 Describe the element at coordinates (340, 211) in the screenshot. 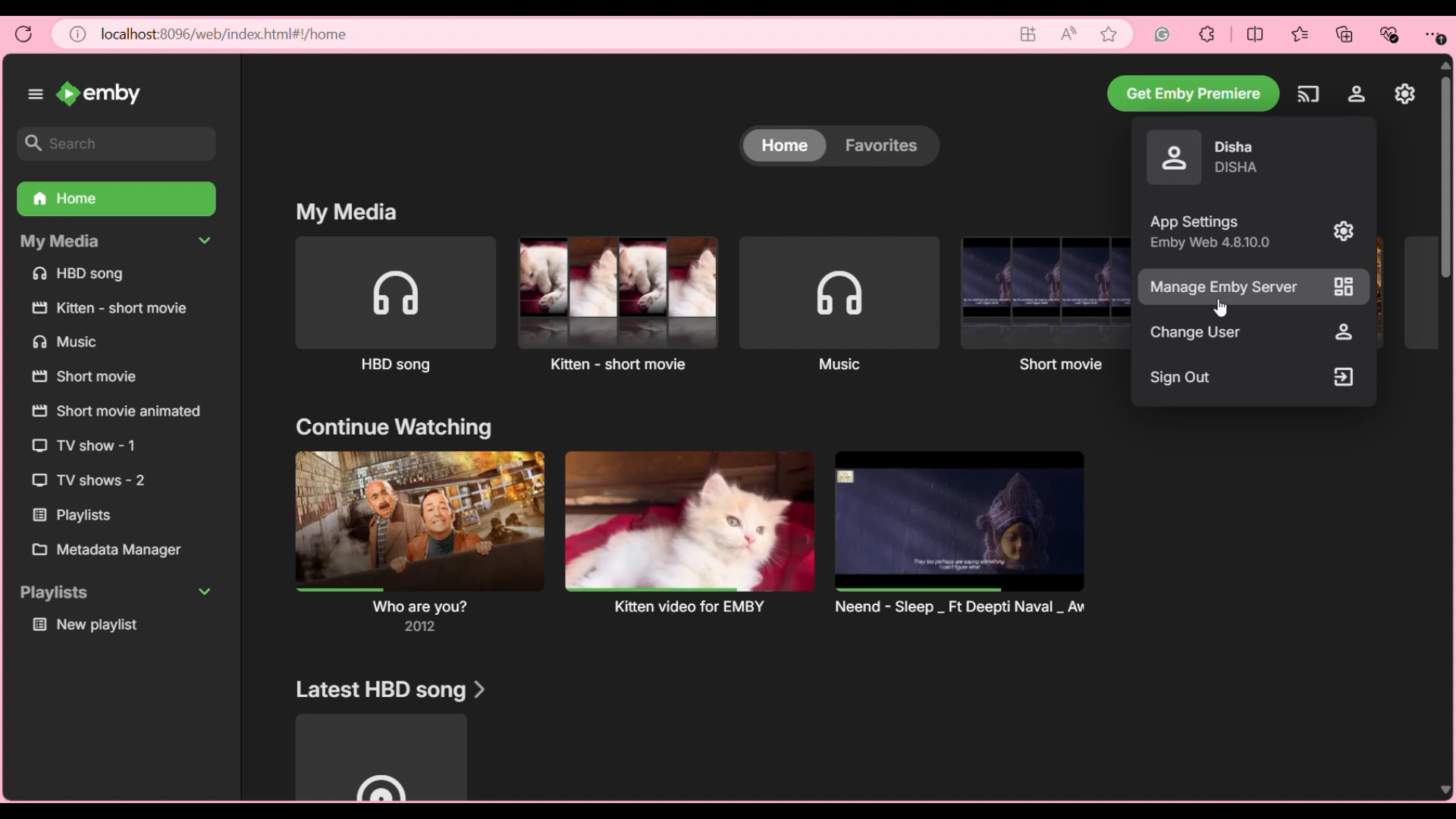

I see `my media` at that location.